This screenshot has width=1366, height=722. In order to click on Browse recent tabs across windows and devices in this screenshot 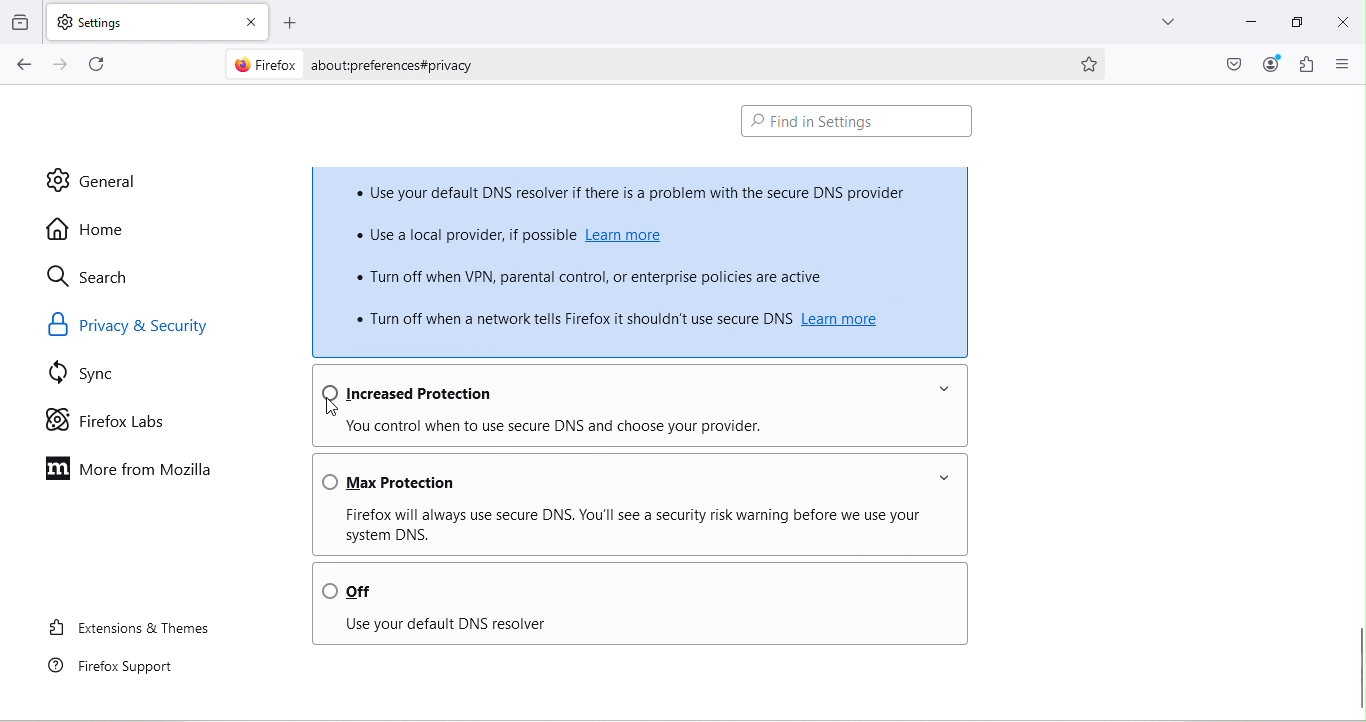, I will do `click(22, 23)`.